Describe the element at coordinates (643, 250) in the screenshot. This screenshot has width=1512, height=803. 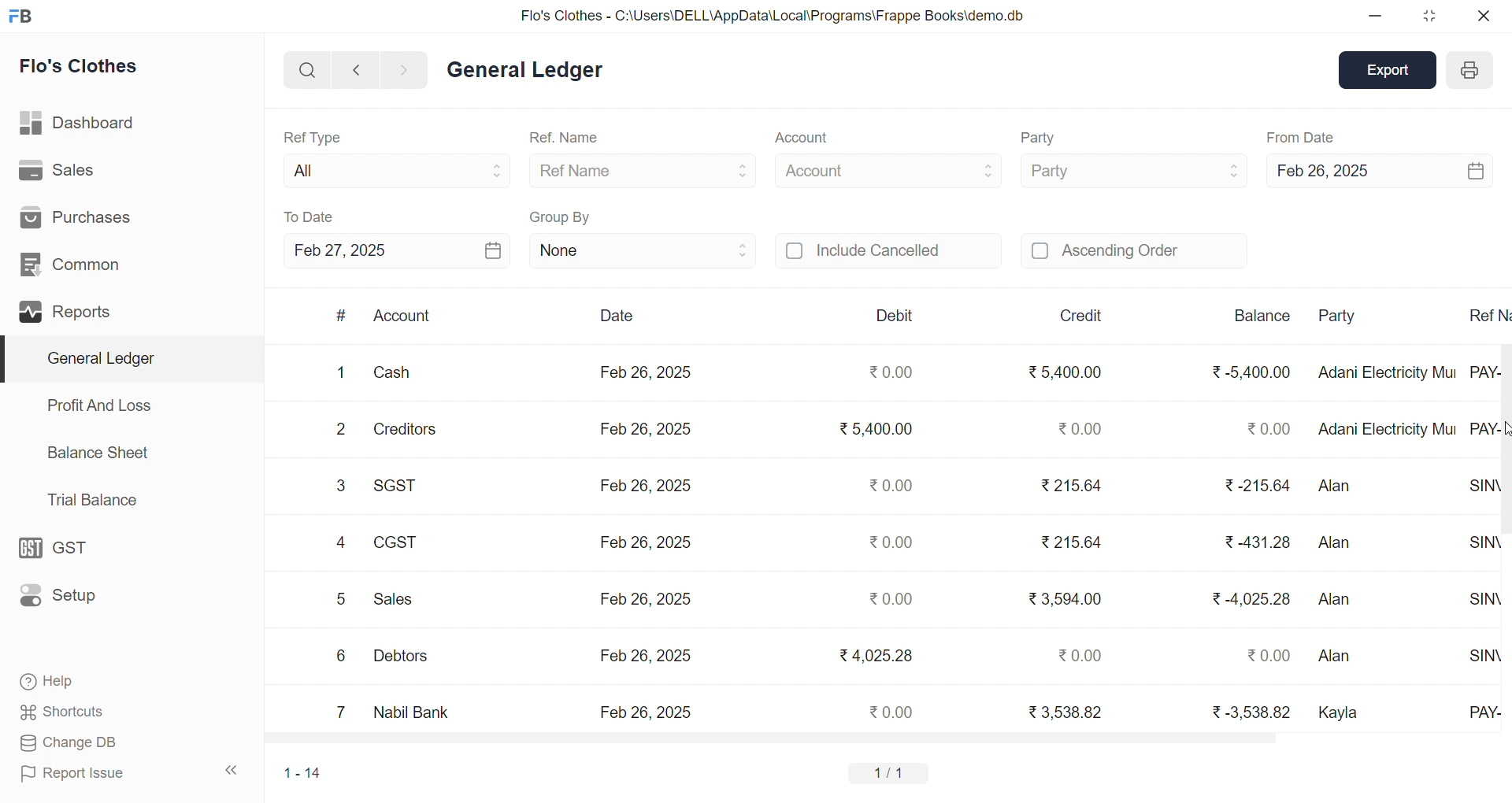
I see `None` at that location.